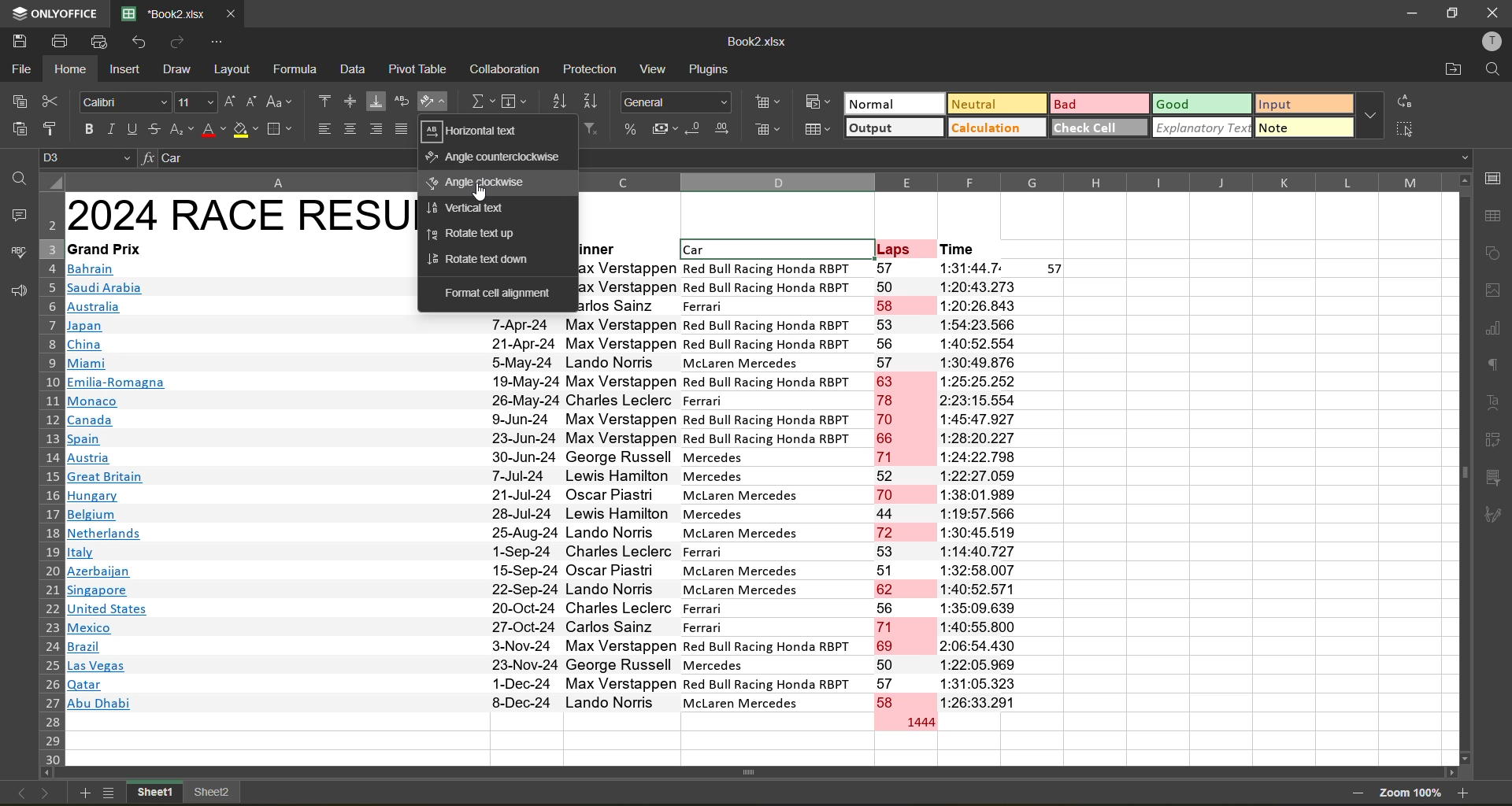 The height and width of the screenshot is (806, 1512). I want to click on cell address, so click(88, 157).